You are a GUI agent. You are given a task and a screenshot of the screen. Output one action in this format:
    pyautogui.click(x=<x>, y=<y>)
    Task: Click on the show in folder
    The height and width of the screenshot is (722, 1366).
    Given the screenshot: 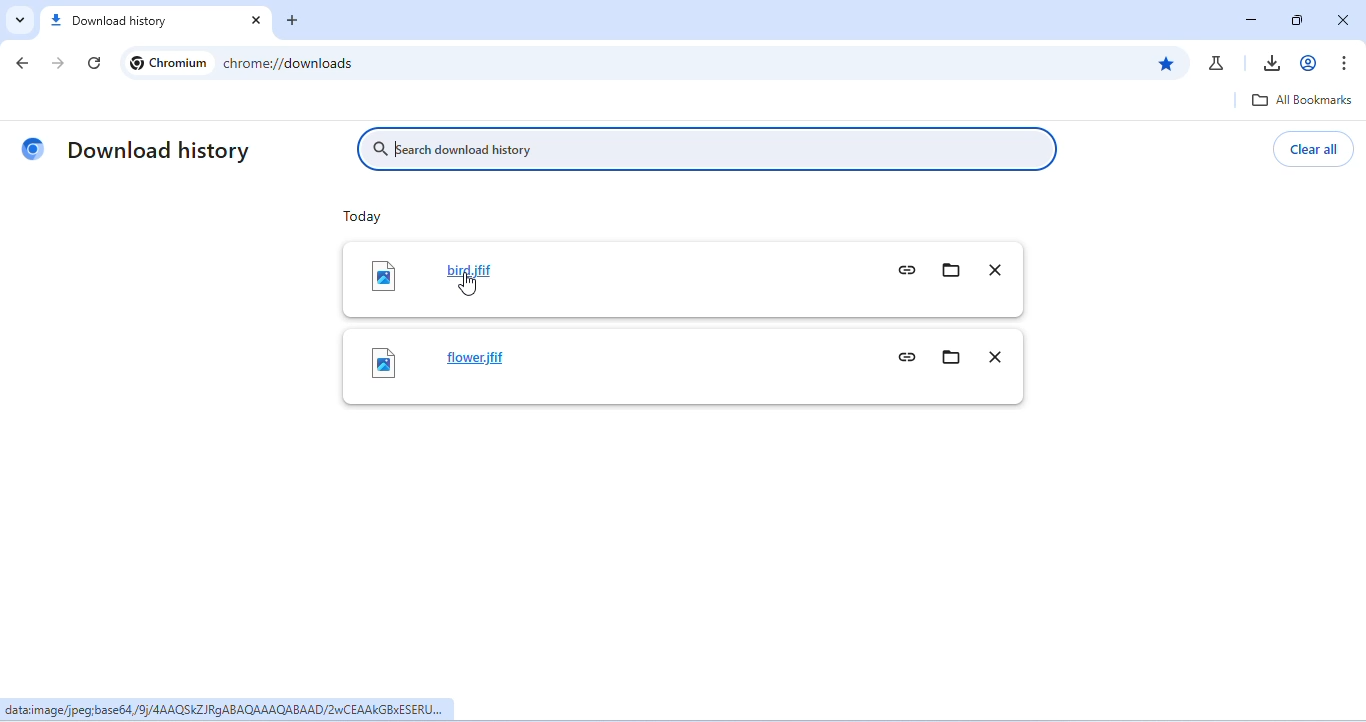 What is the action you would take?
    pyautogui.click(x=950, y=271)
    